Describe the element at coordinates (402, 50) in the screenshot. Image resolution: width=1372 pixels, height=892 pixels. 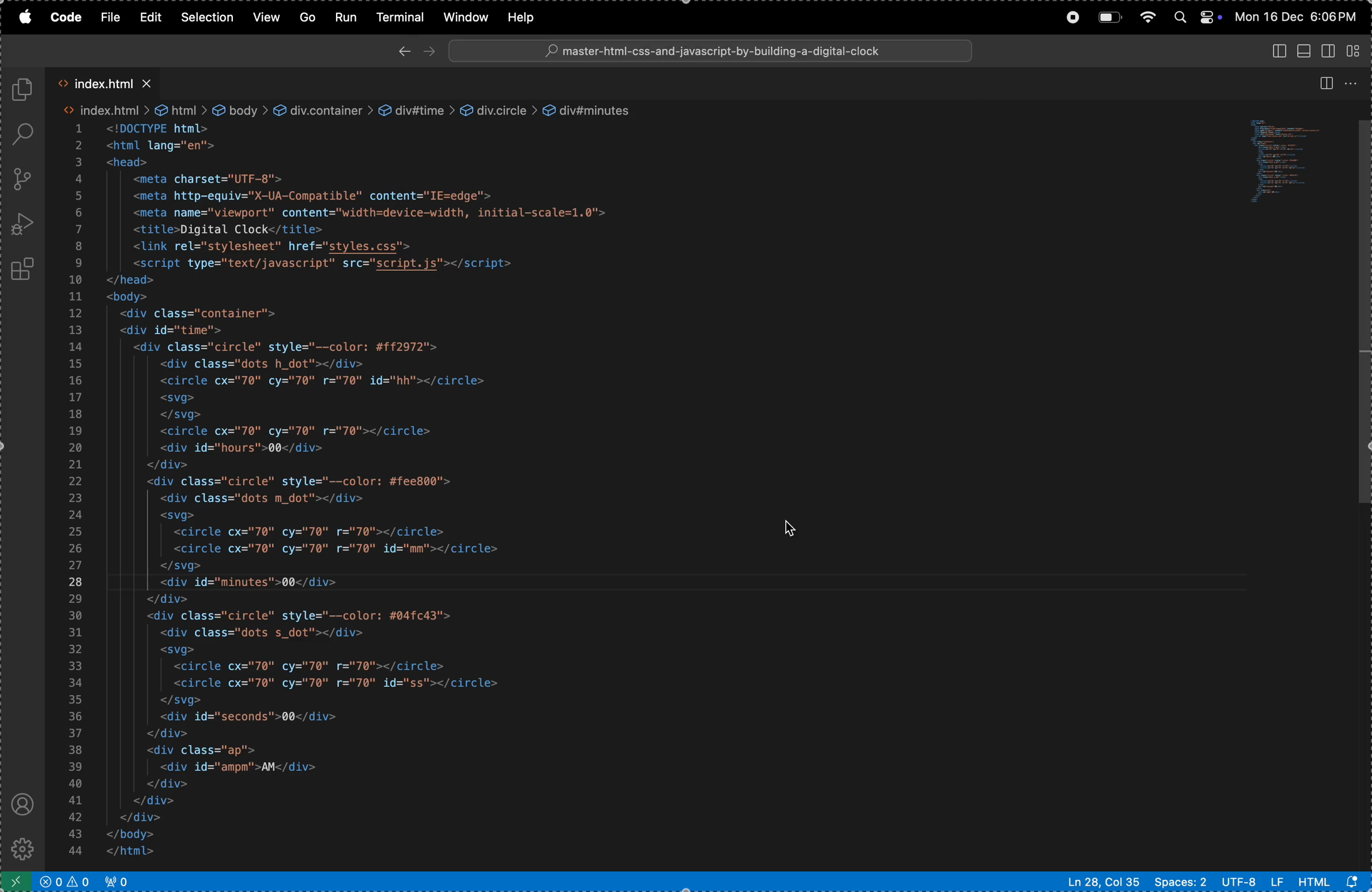
I see `back ward` at that location.